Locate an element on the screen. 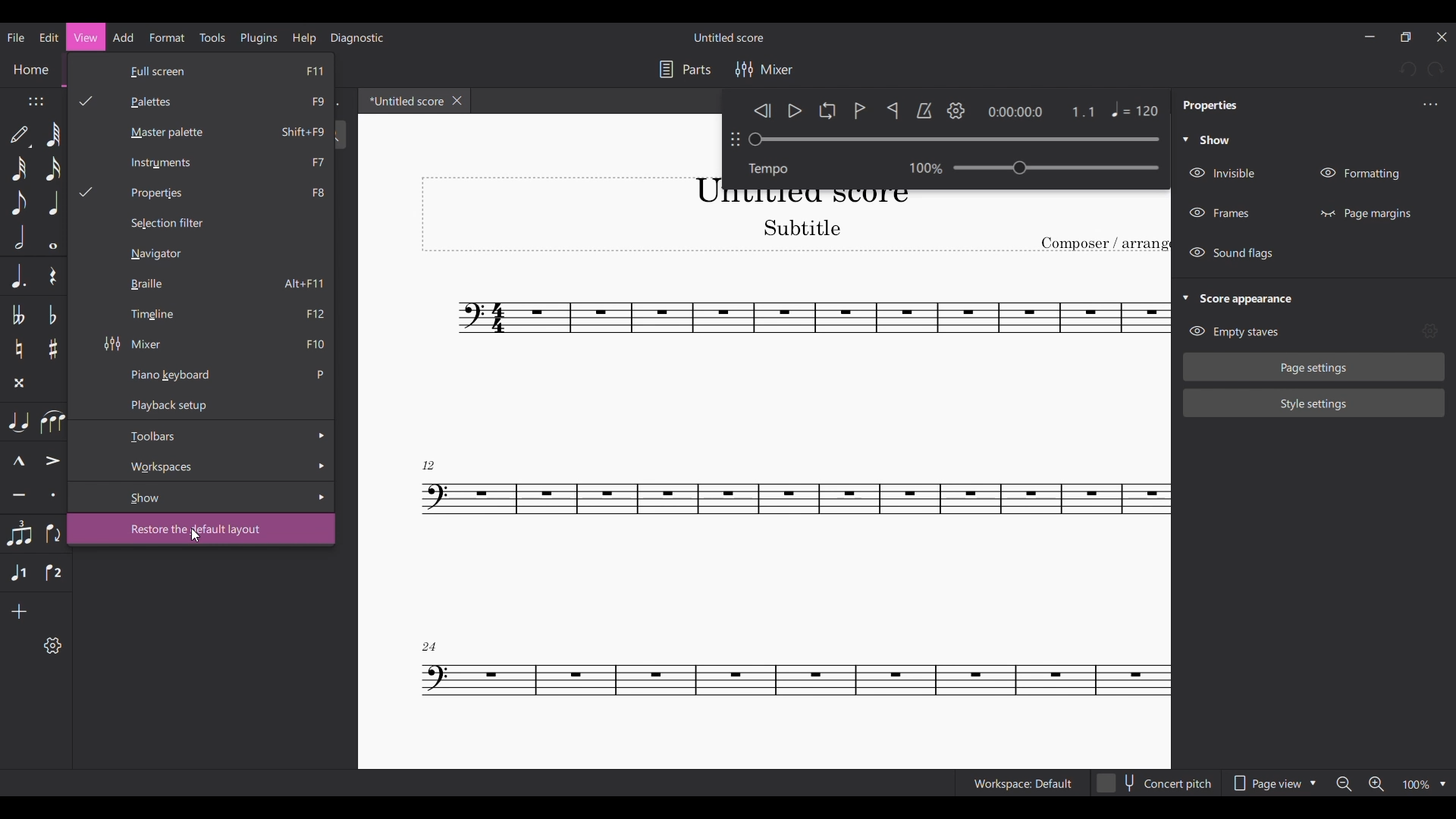  Play is located at coordinates (795, 111).